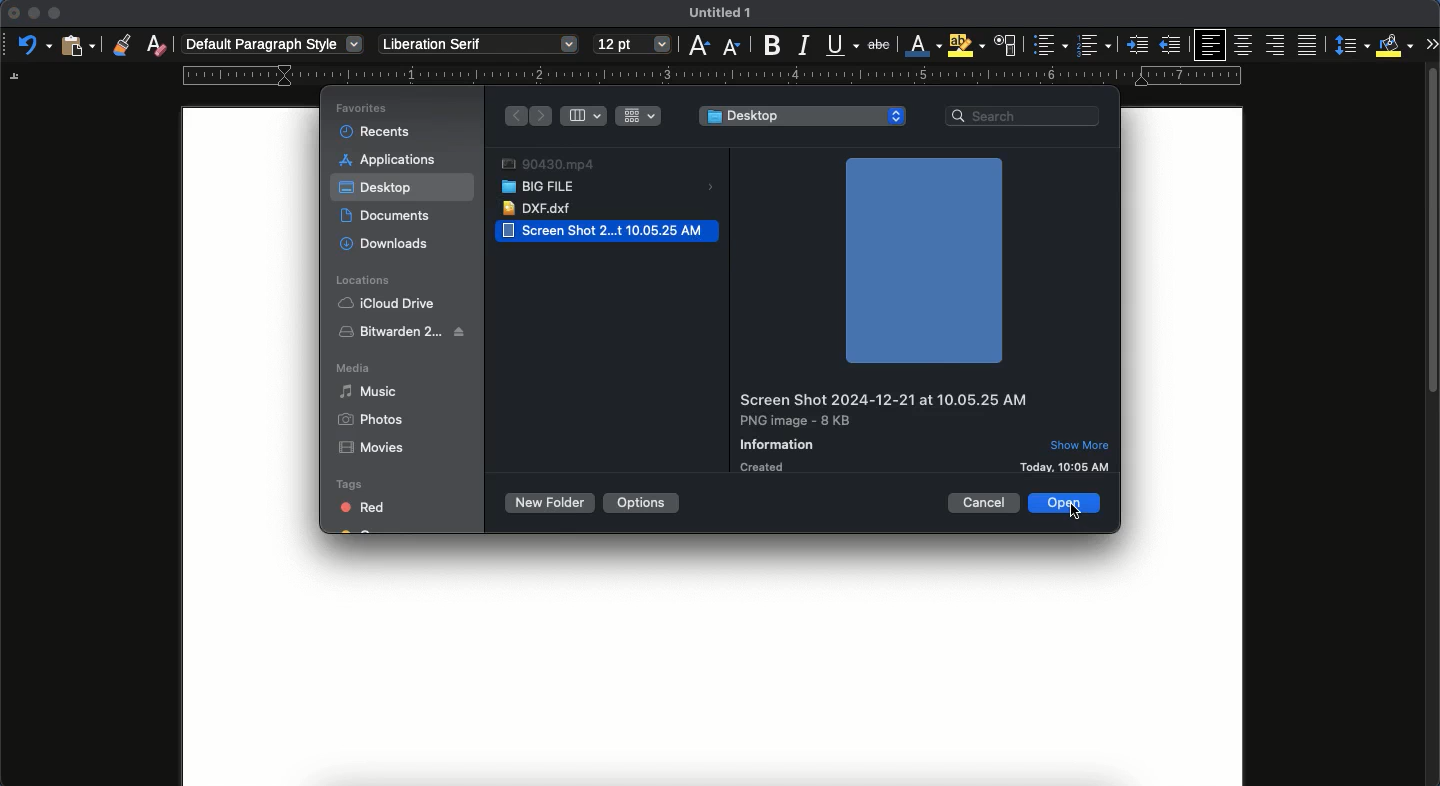 The width and height of the screenshot is (1440, 786). Describe the element at coordinates (773, 46) in the screenshot. I see `bold` at that location.